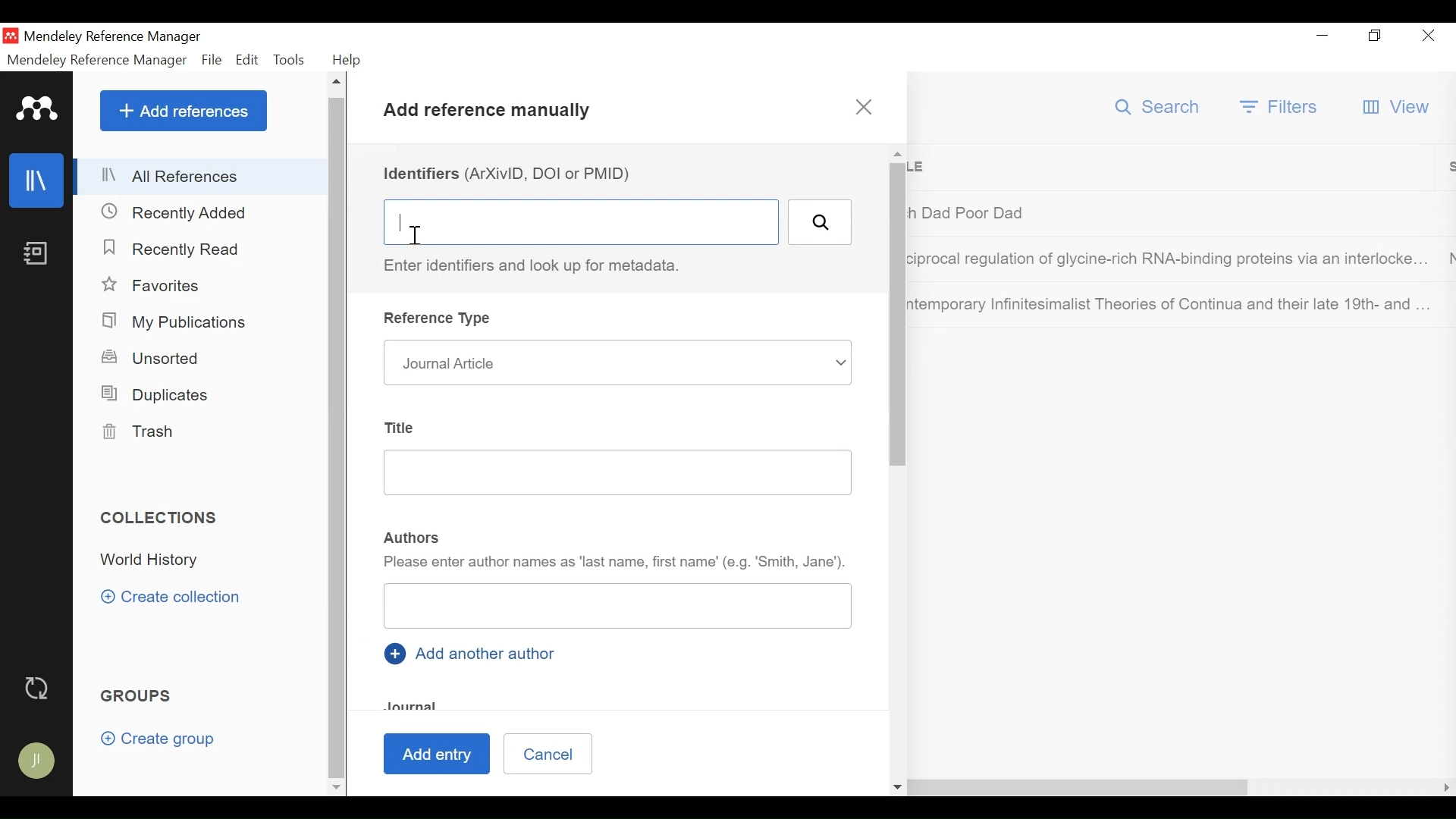  I want to click on Favorites, so click(152, 284).